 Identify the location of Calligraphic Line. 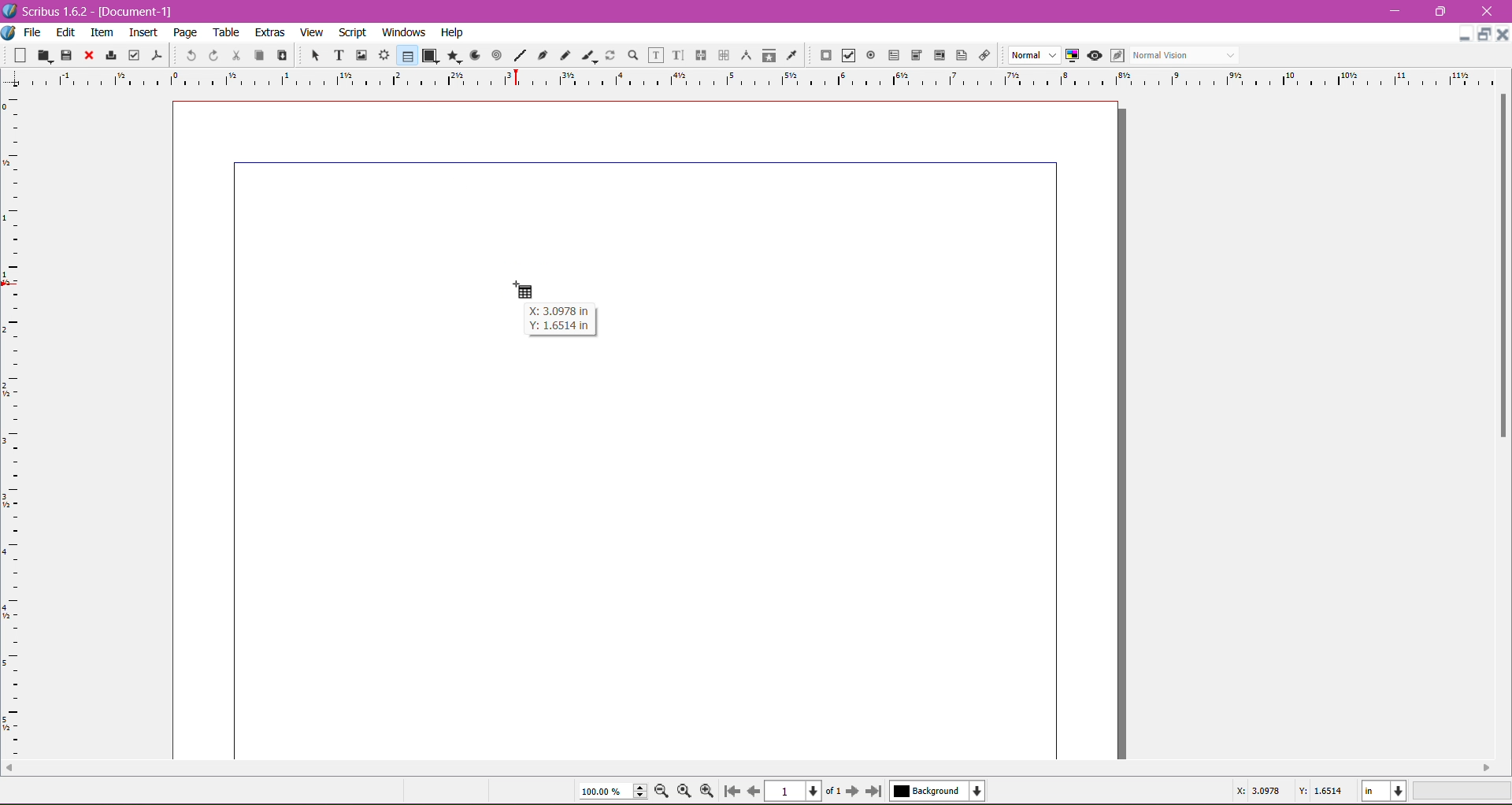
(588, 54).